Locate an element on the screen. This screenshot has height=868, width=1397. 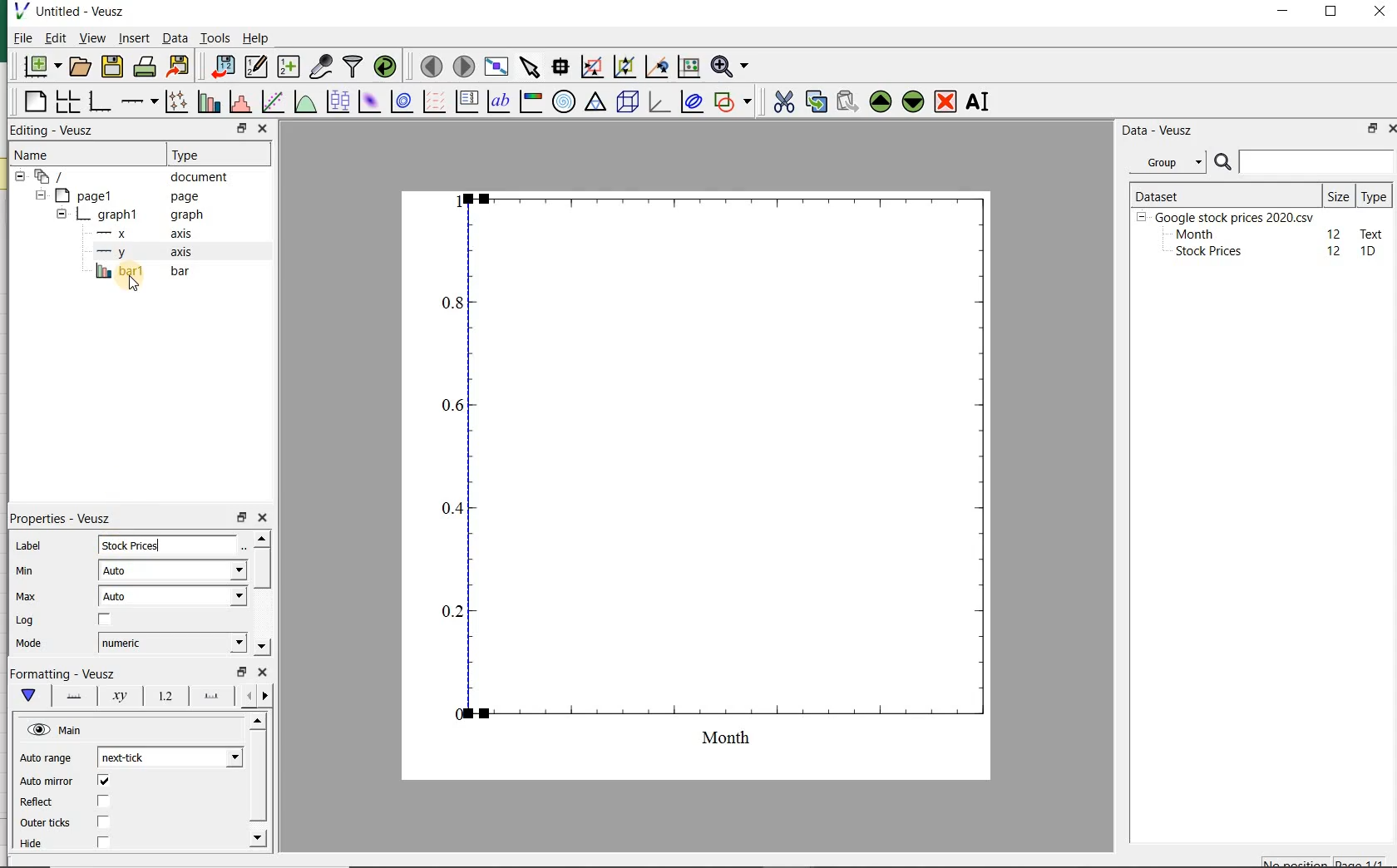
plot box plots is located at coordinates (335, 103).